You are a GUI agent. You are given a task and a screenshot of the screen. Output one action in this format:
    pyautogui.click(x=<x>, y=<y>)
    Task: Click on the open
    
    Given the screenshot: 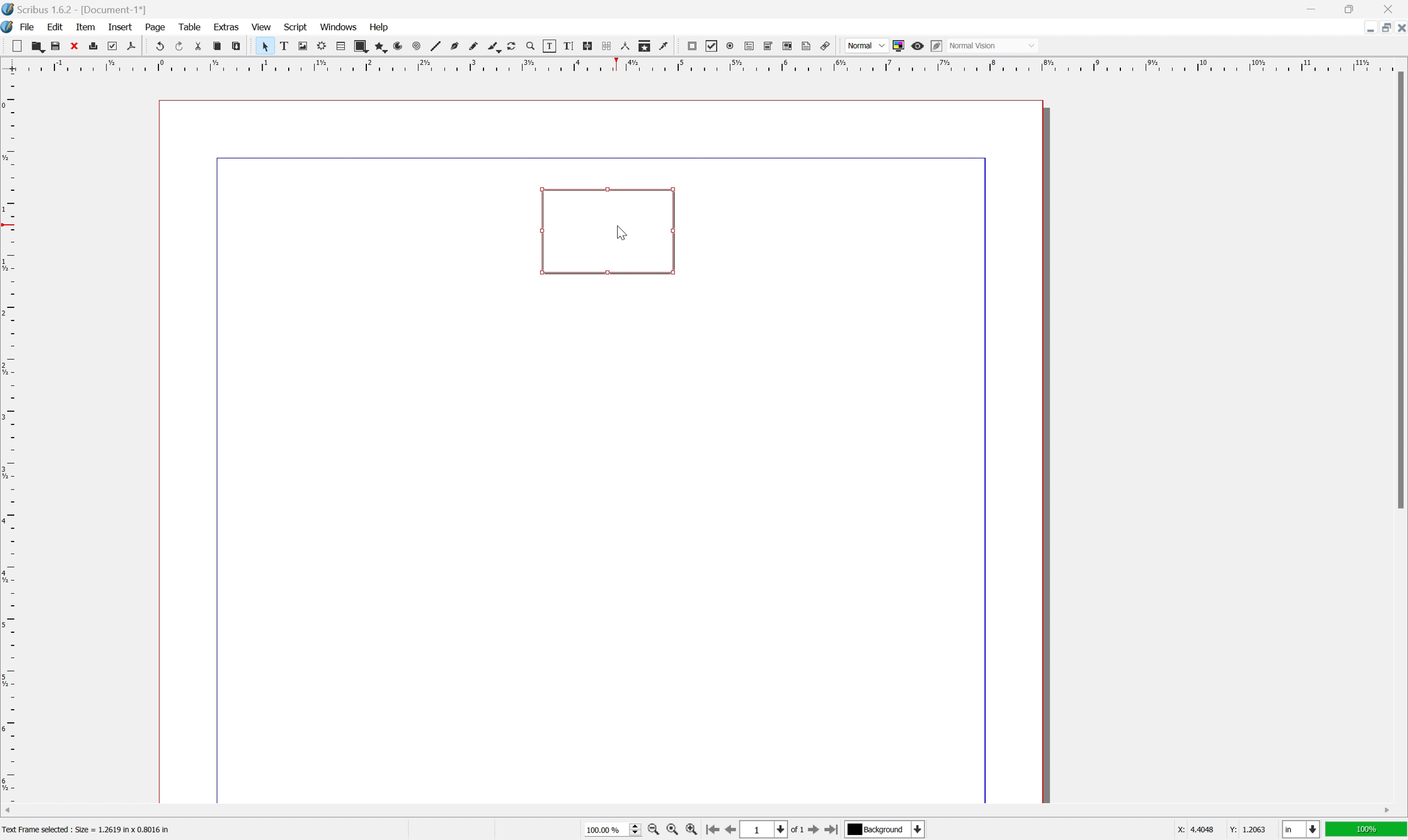 What is the action you would take?
    pyautogui.click(x=38, y=48)
    